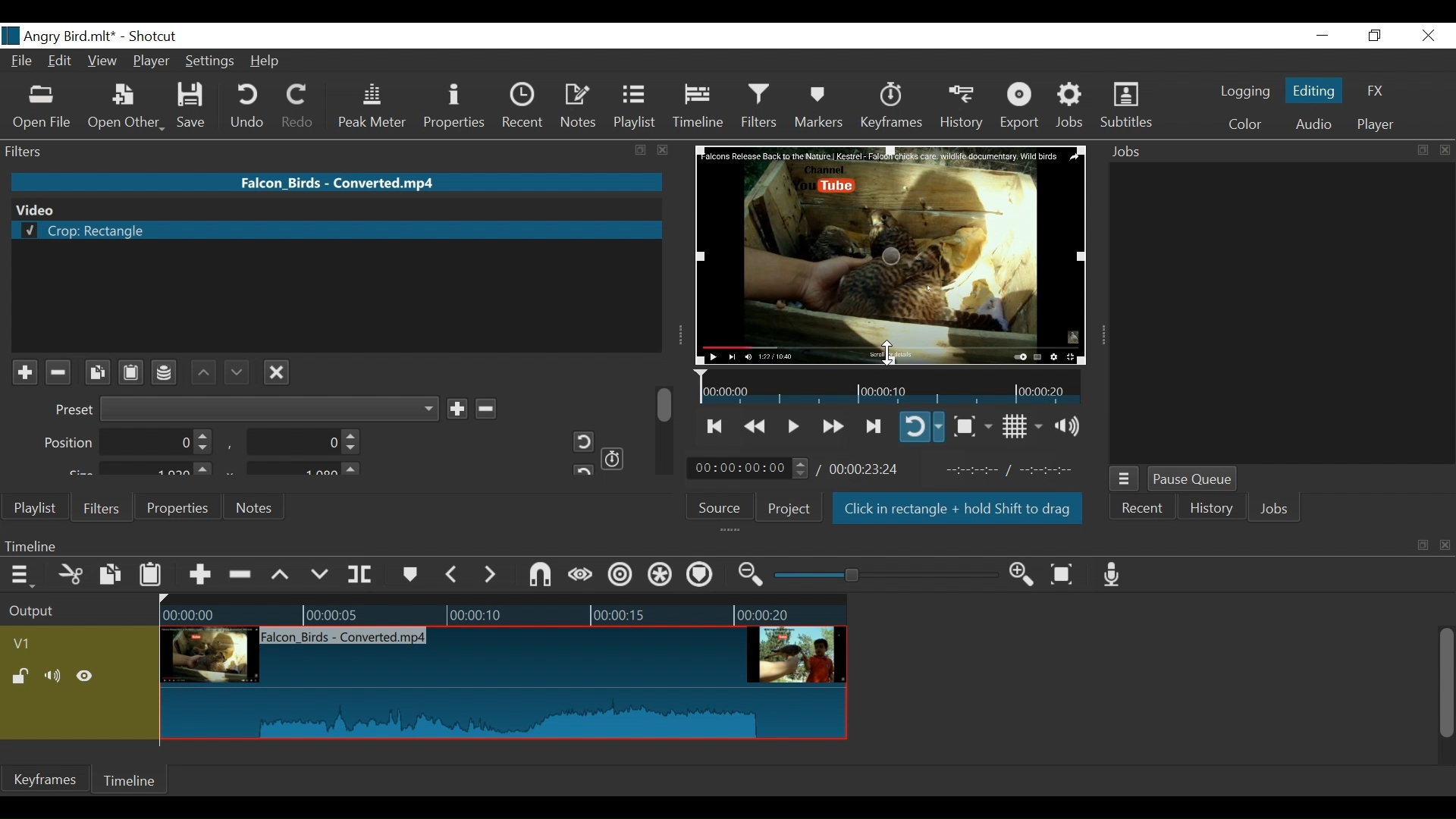 Image resolution: width=1456 pixels, height=819 pixels. What do you see at coordinates (1073, 426) in the screenshot?
I see `Show volume control` at bounding box center [1073, 426].